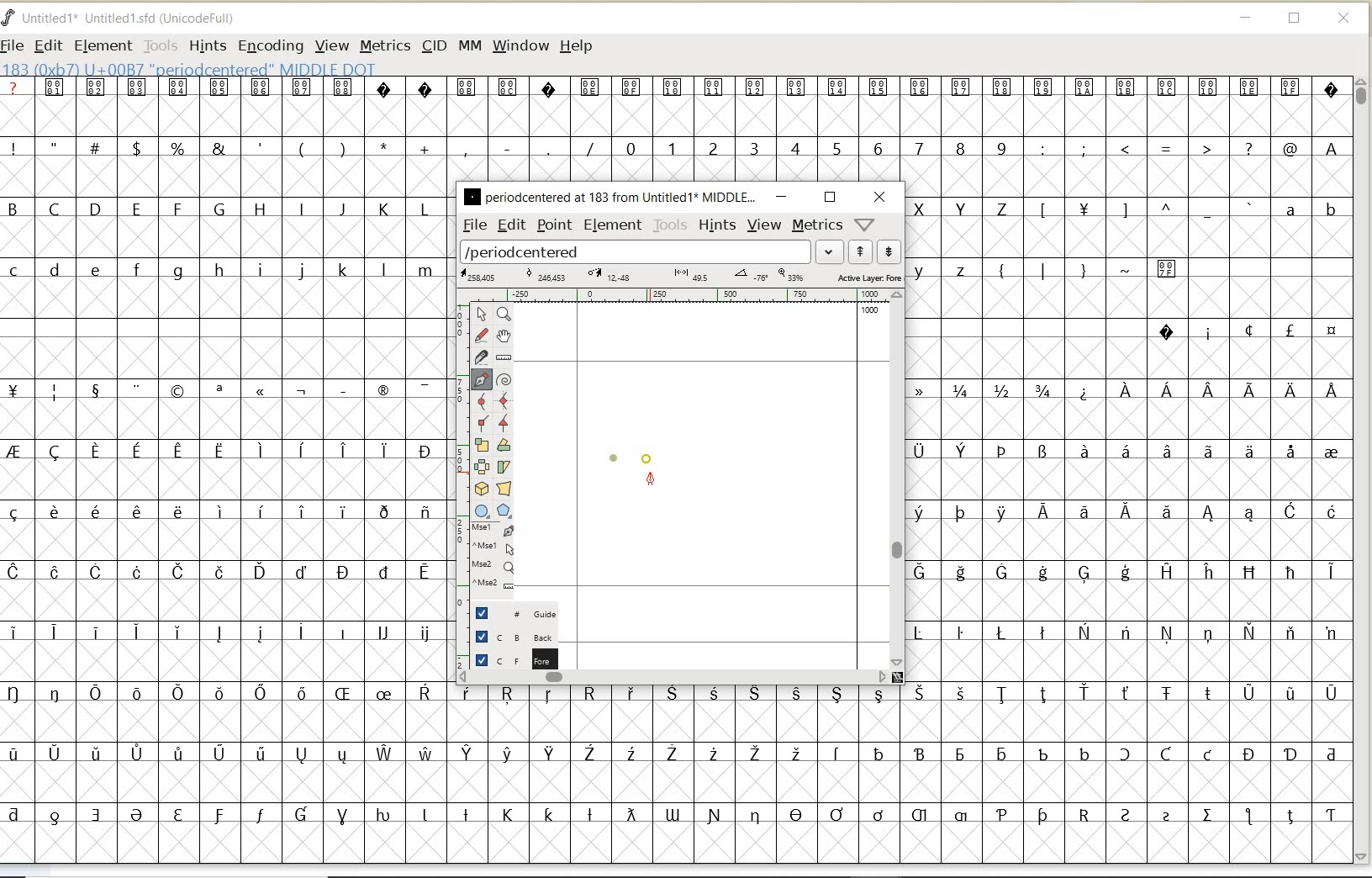  Describe the element at coordinates (504, 489) in the screenshot. I see `perform a perspective transformation on the selection` at that location.